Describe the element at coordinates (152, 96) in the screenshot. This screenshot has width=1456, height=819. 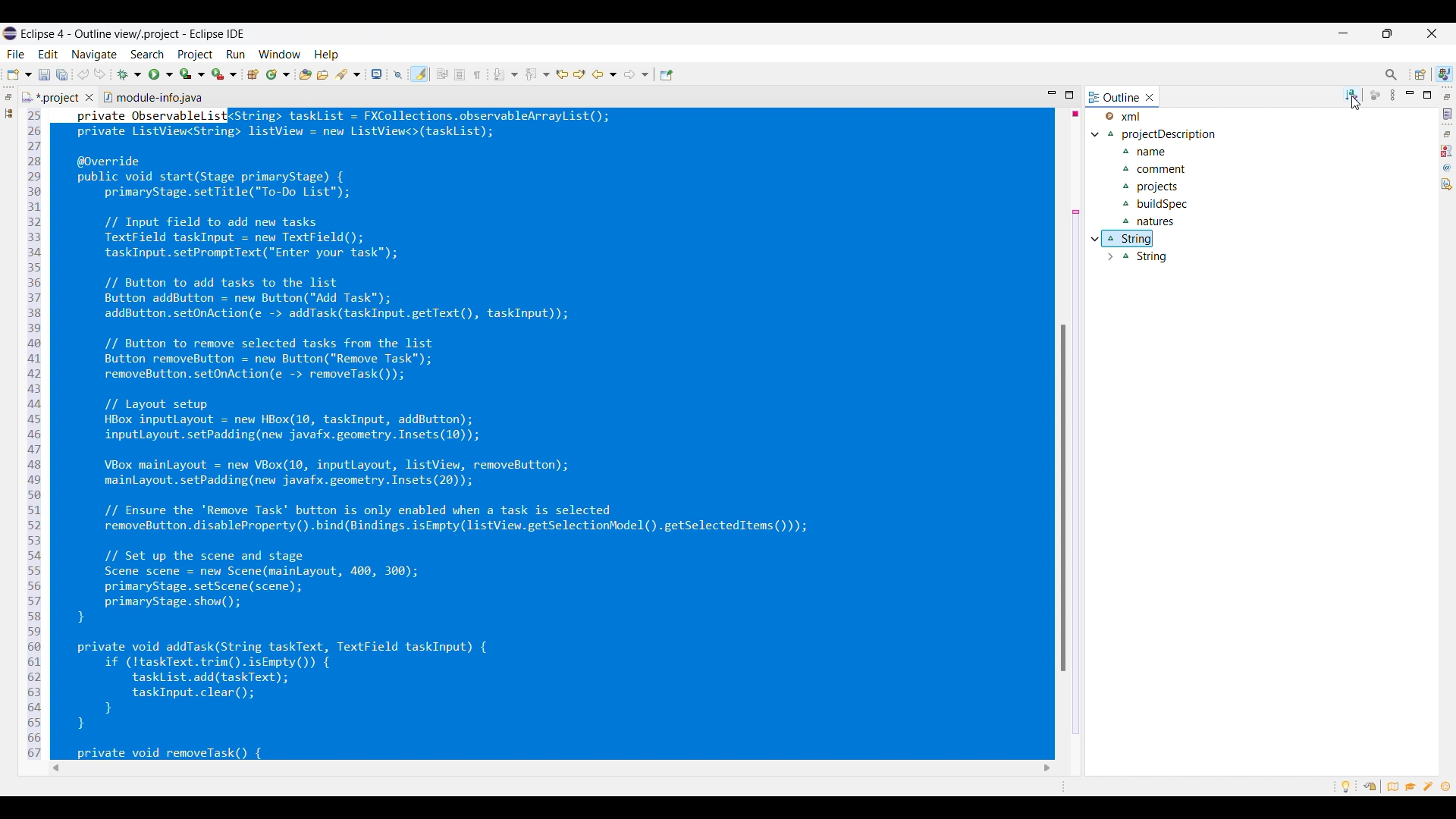
I see `Other tab` at that location.